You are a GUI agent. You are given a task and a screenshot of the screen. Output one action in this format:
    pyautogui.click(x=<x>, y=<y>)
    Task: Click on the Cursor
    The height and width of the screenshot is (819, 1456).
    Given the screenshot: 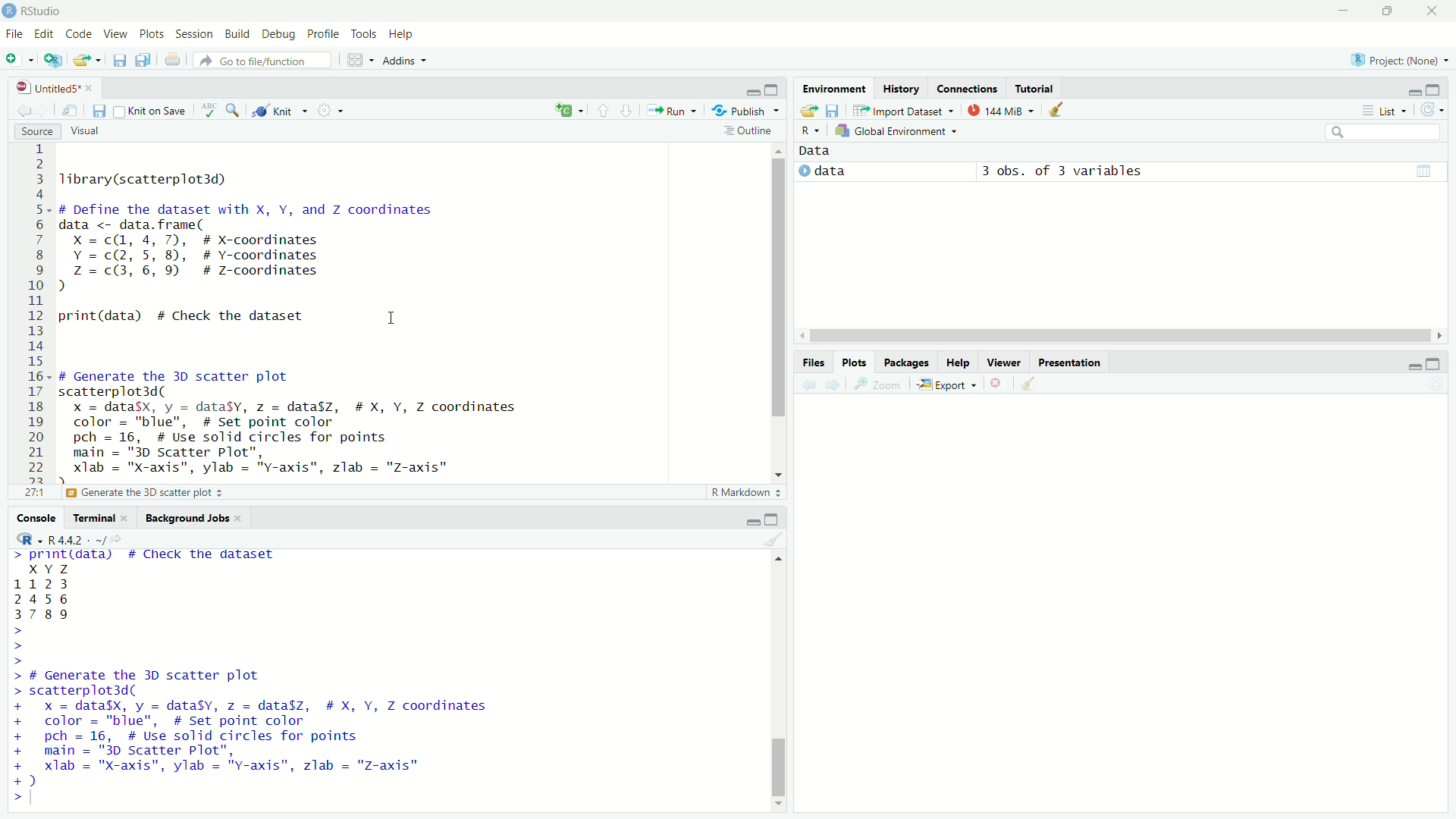 What is the action you would take?
    pyautogui.click(x=393, y=326)
    